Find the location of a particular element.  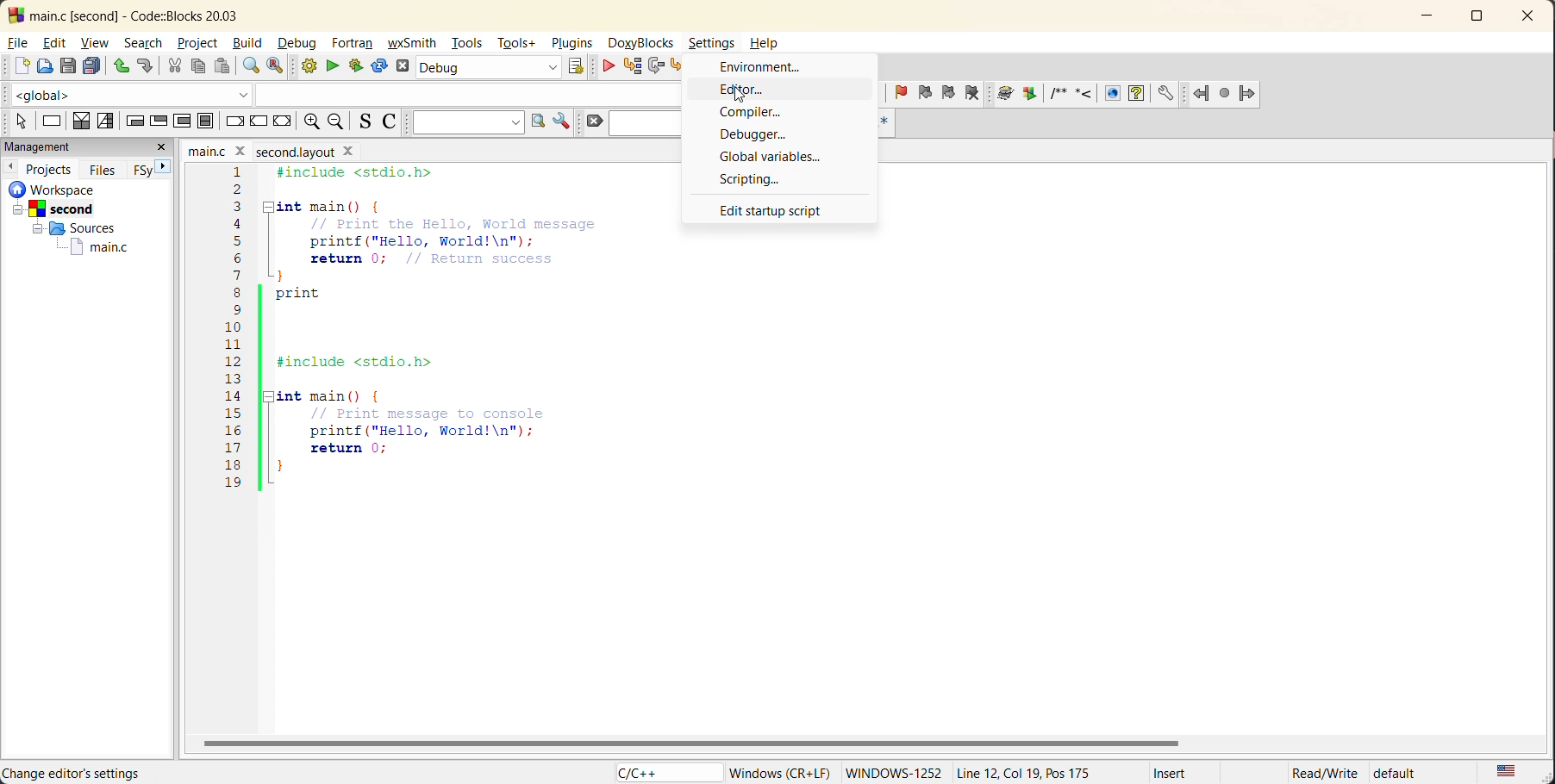

workspace is located at coordinates (68, 189).